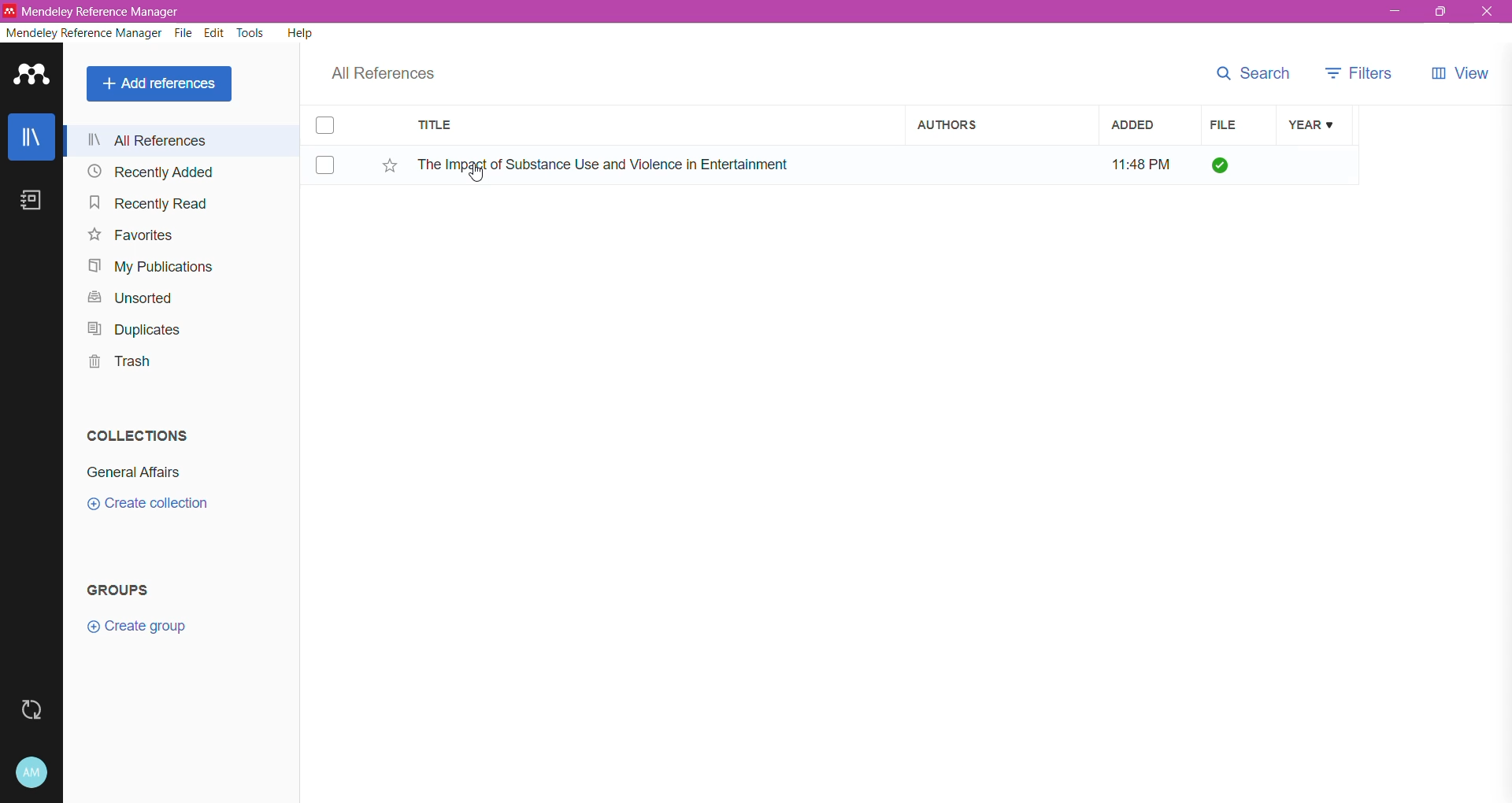 This screenshot has height=803, width=1512. Describe the element at coordinates (657, 165) in the screenshot. I see `Reference Item title` at that location.